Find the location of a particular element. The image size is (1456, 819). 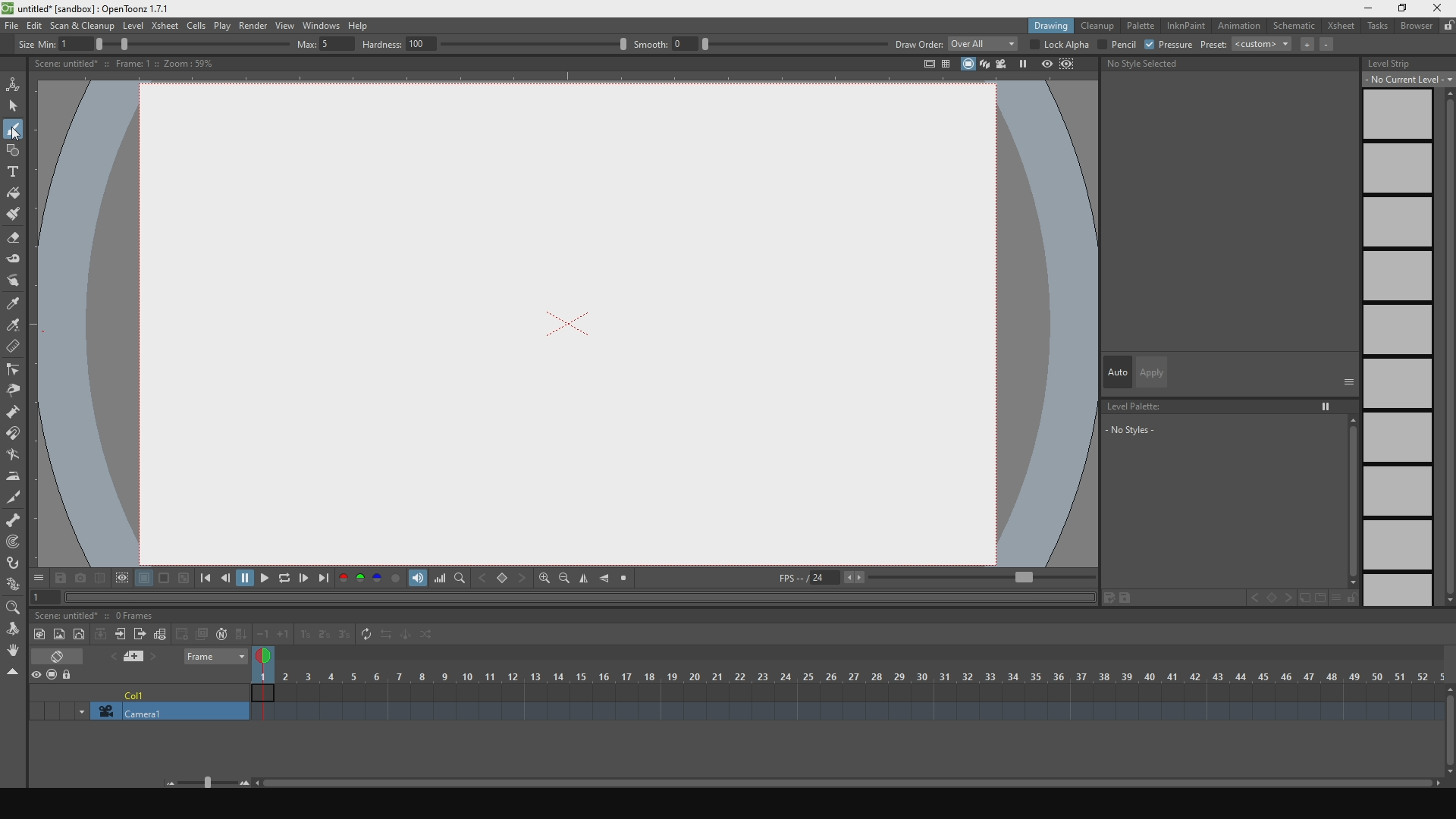

frame is located at coordinates (211, 659).